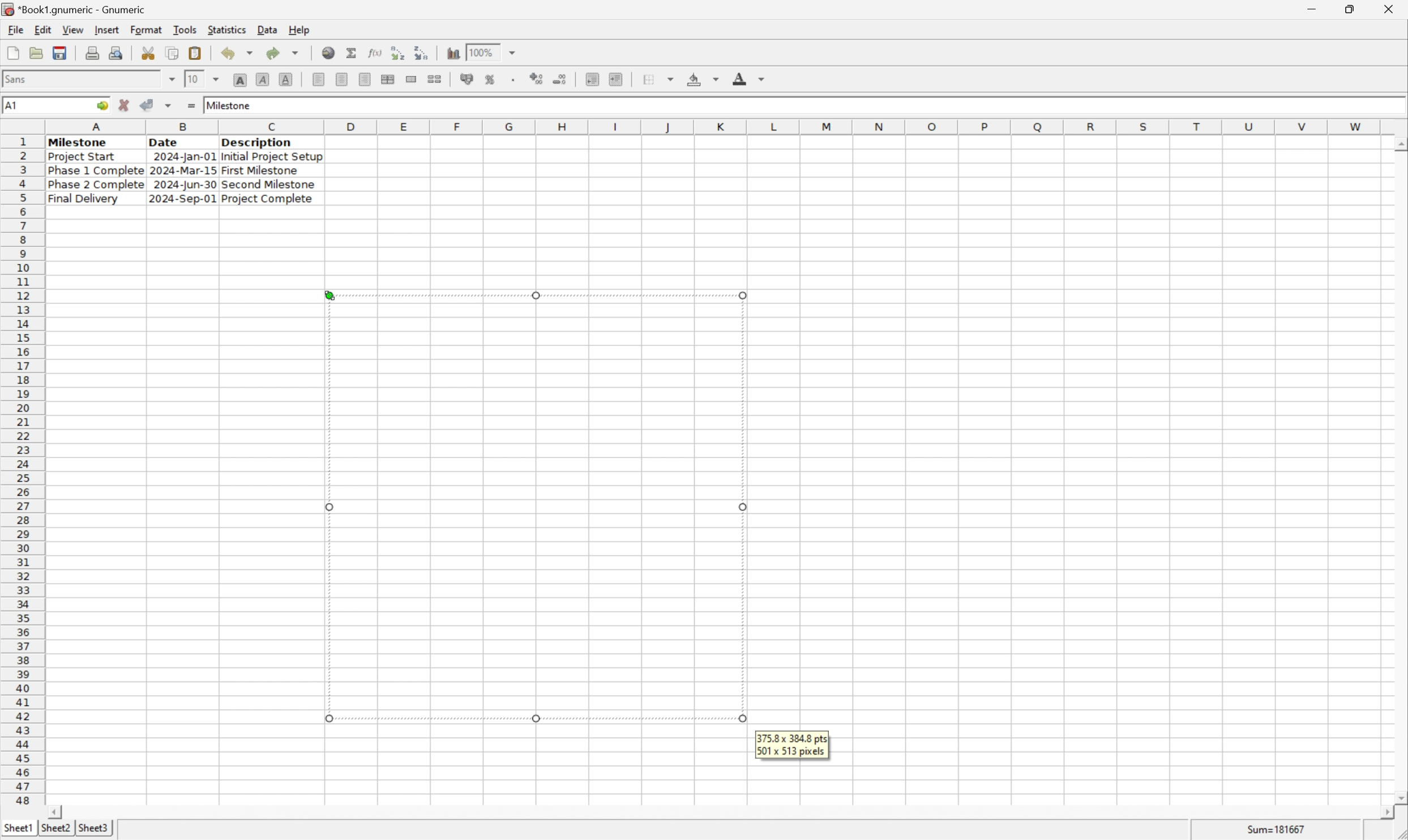 This screenshot has height=840, width=1408. I want to click on edit, so click(44, 29).